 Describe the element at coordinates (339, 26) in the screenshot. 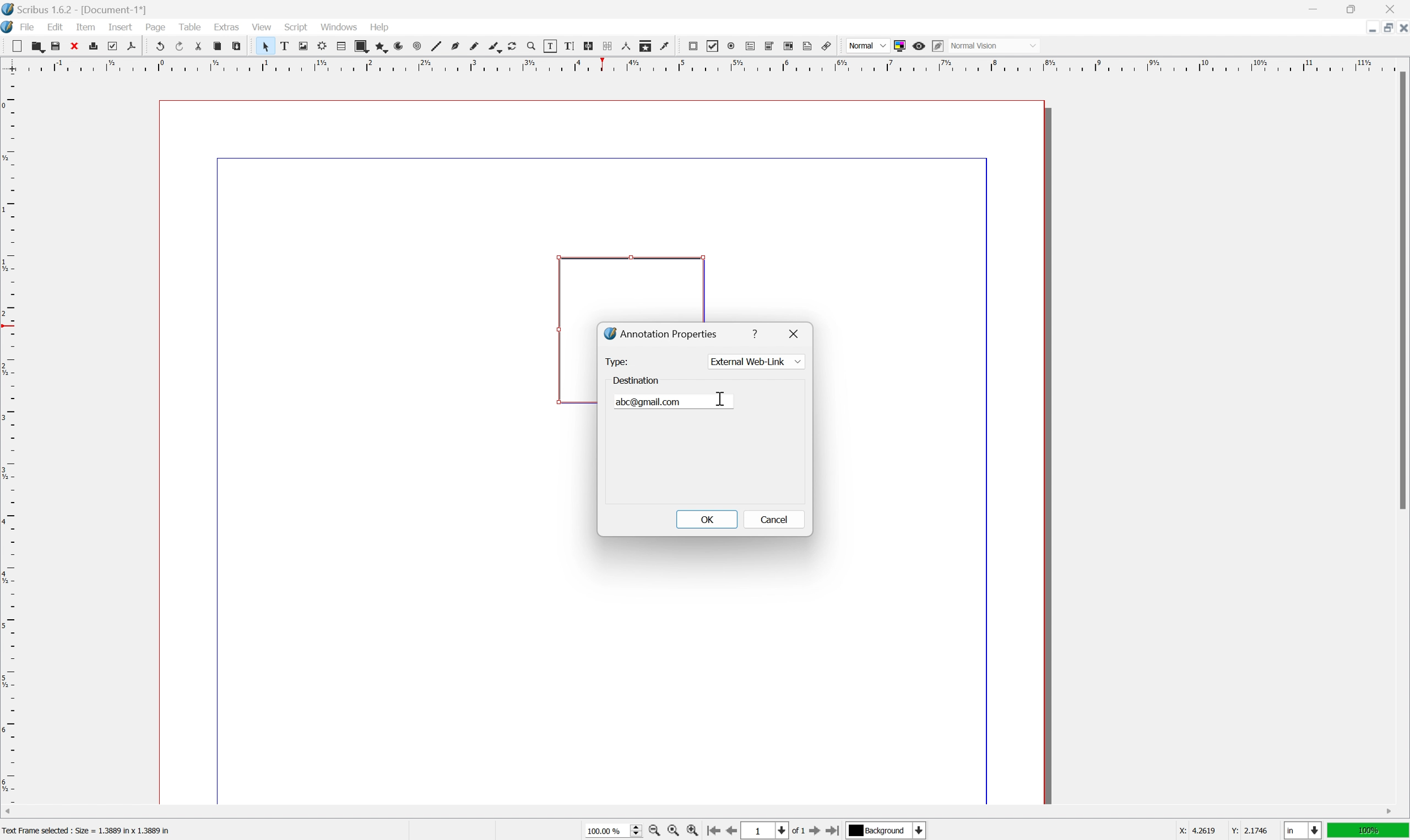

I see `windows` at that location.